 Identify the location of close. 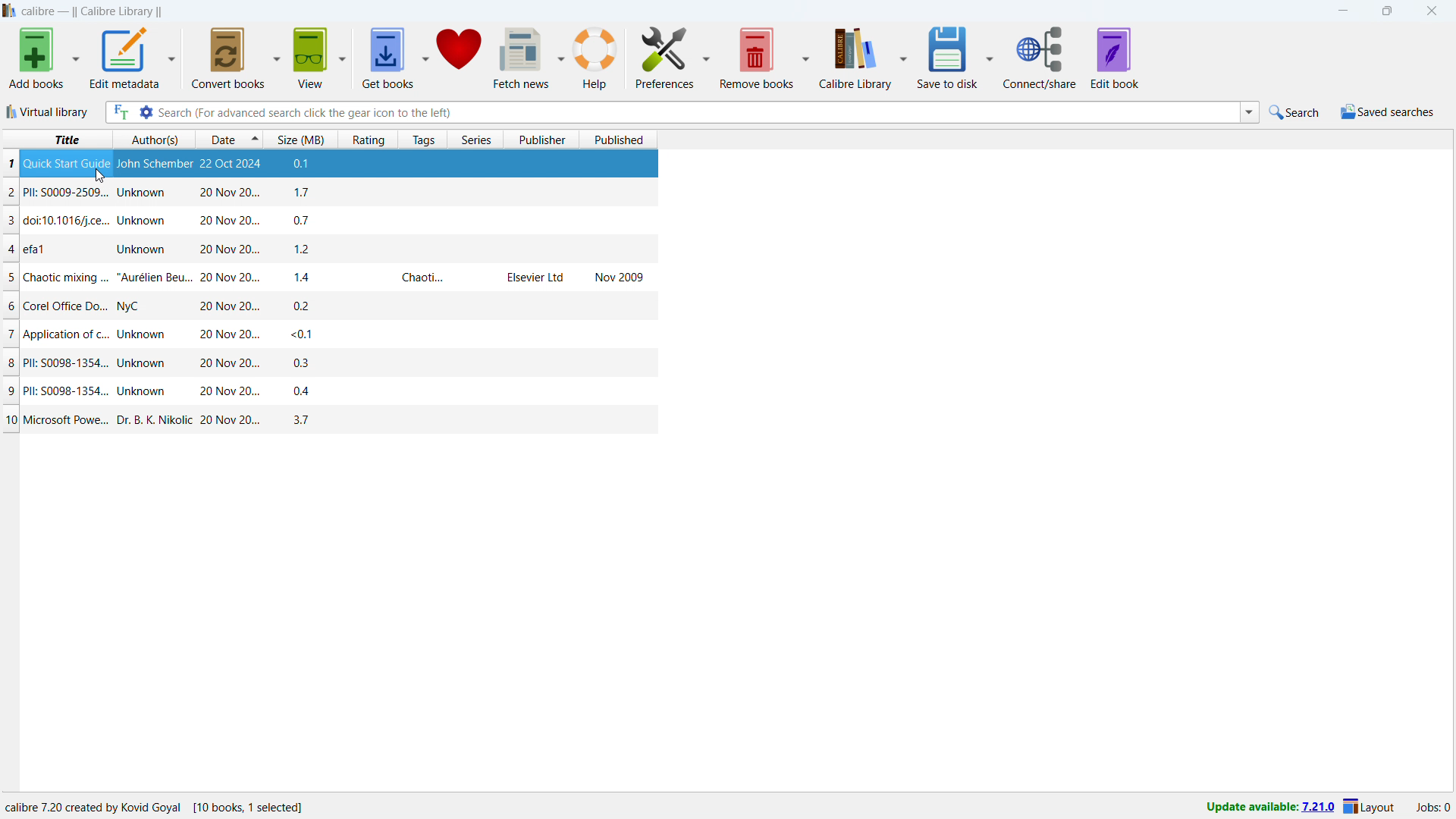
(1431, 11).